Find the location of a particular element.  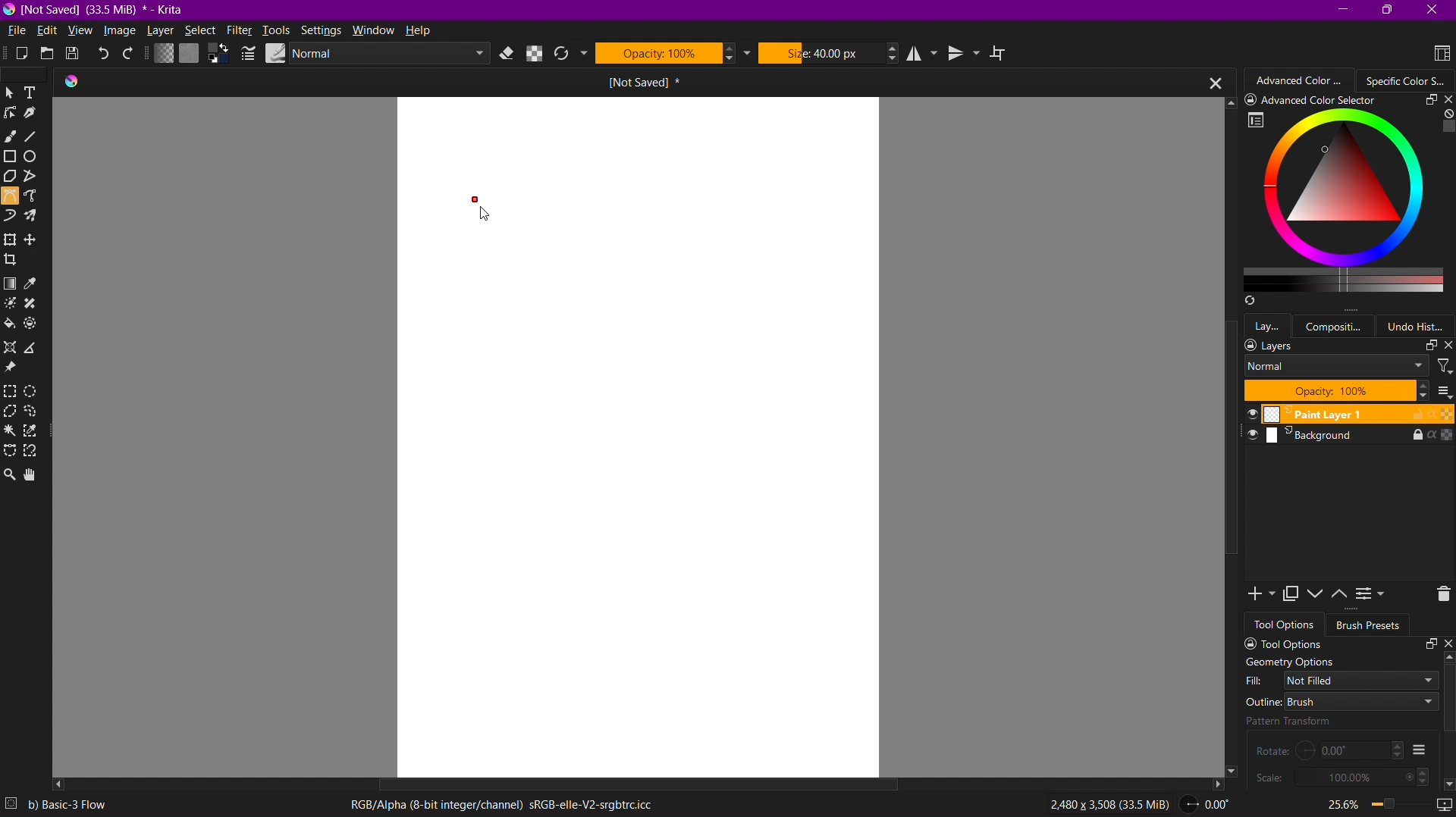

Dynamic Brush Tool is located at coordinates (11, 217).